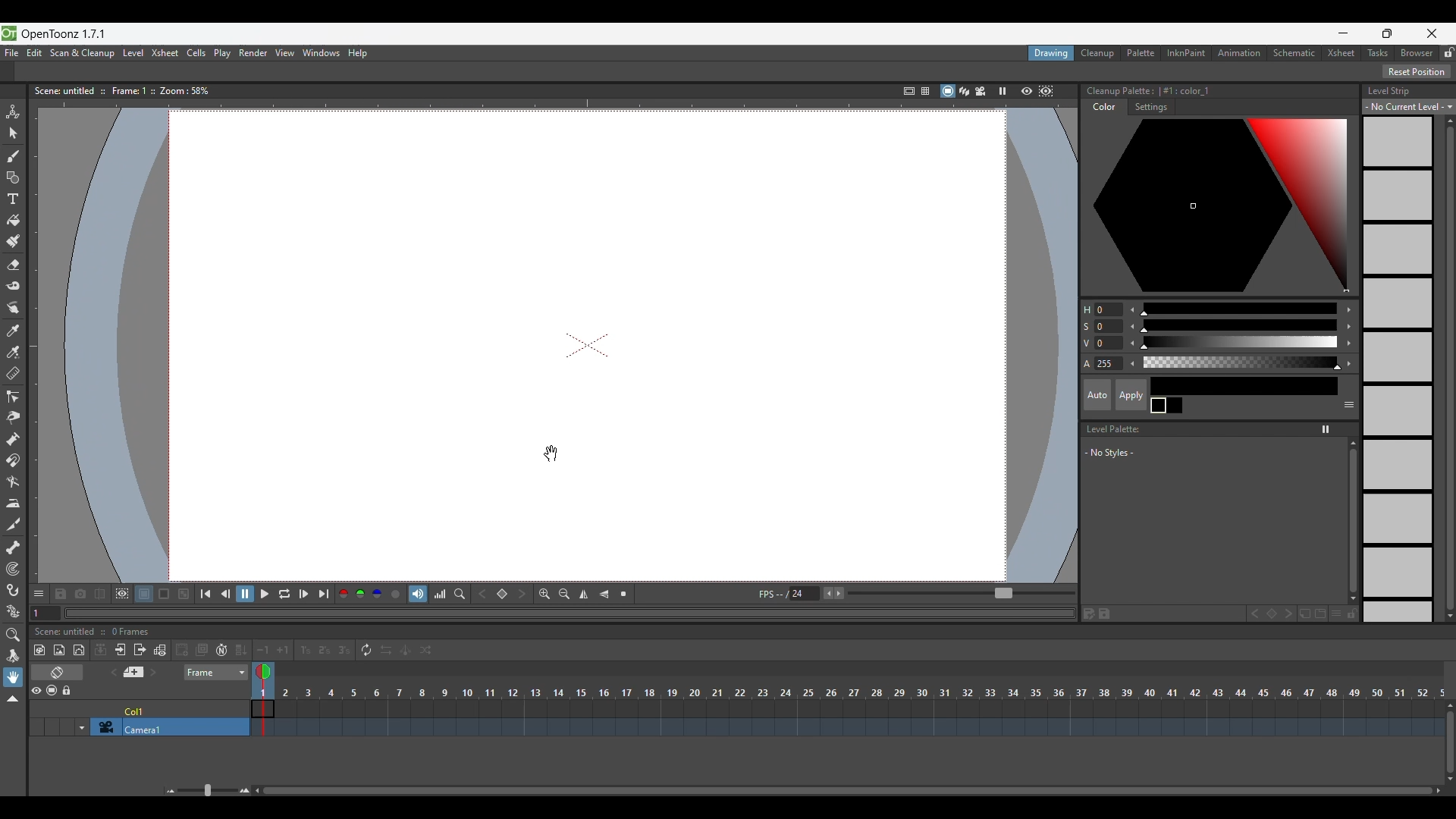 The image size is (1456, 819). I want to click on Flip horizontally, so click(585, 594).